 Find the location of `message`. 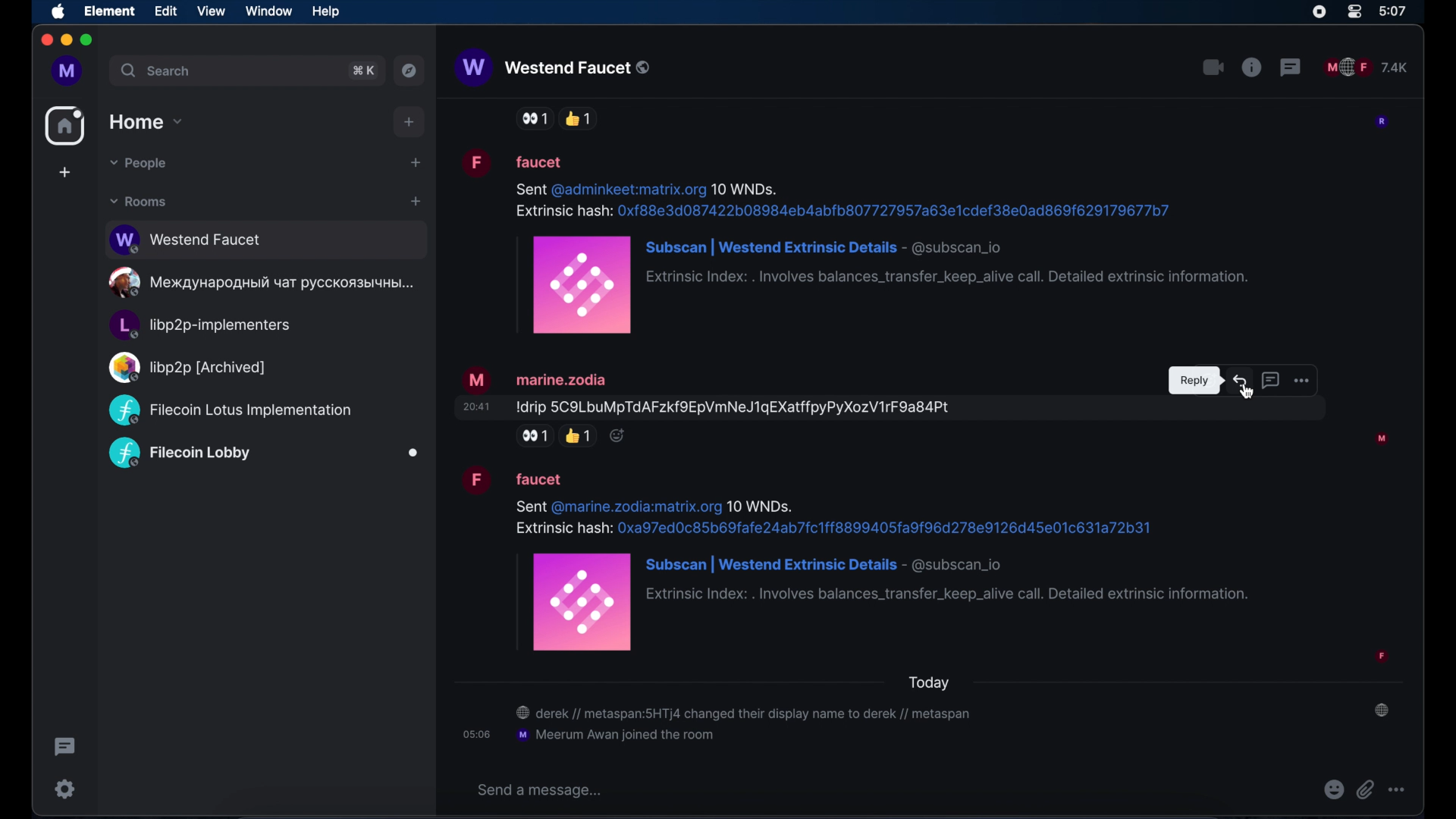

message is located at coordinates (852, 559).